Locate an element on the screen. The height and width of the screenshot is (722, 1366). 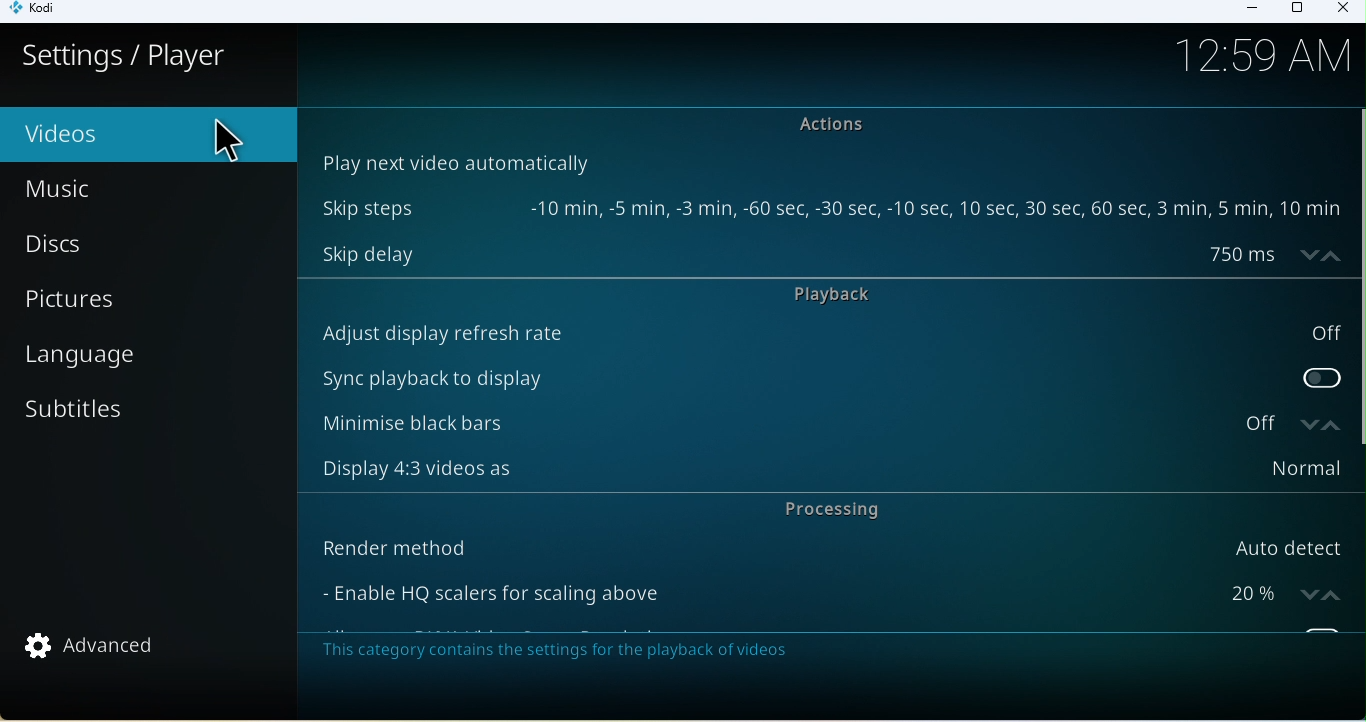
Note is located at coordinates (560, 656).